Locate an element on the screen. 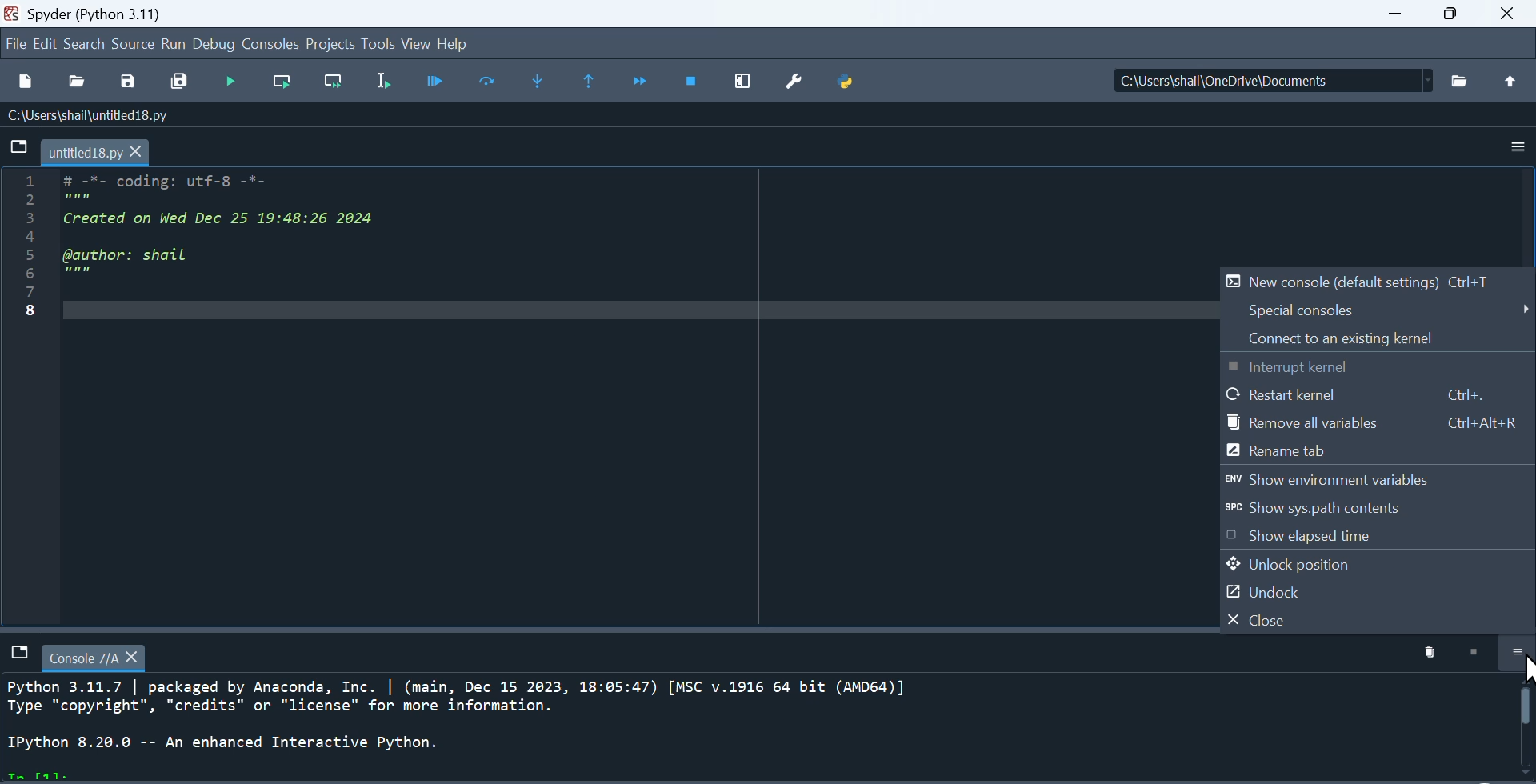 This screenshot has width=1536, height=784. more options is located at coordinates (1517, 148).